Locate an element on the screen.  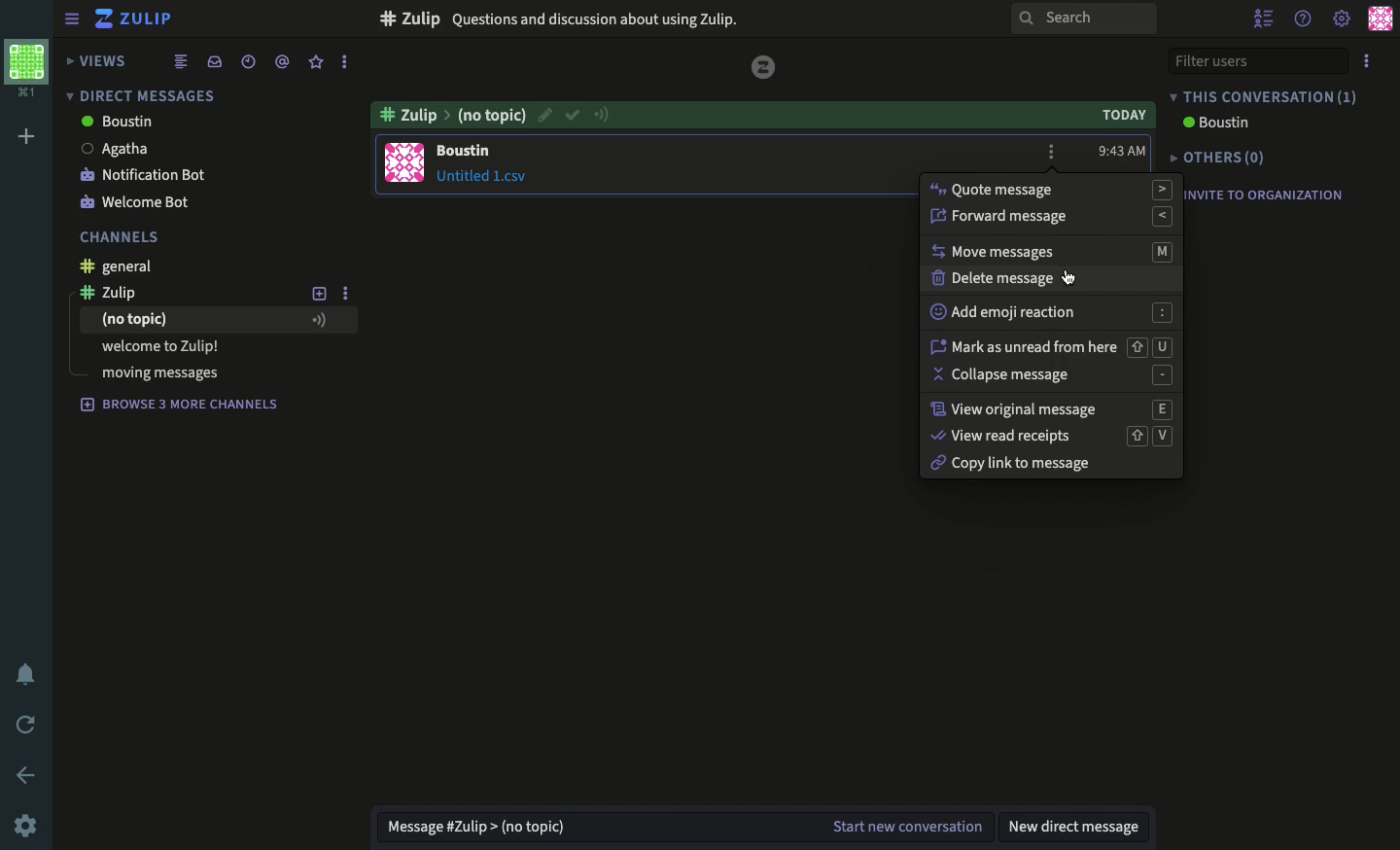
settings  is located at coordinates (1342, 20).